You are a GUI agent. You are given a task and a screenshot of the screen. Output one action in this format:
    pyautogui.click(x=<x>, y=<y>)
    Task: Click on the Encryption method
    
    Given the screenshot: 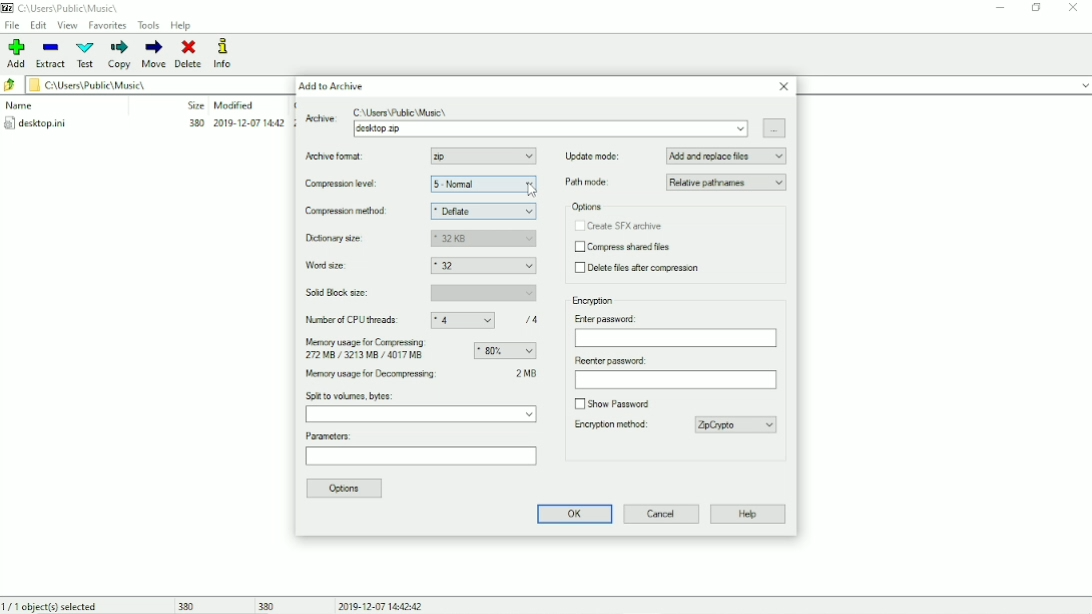 What is the action you would take?
    pyautogui.click(x=621, y=427)
    